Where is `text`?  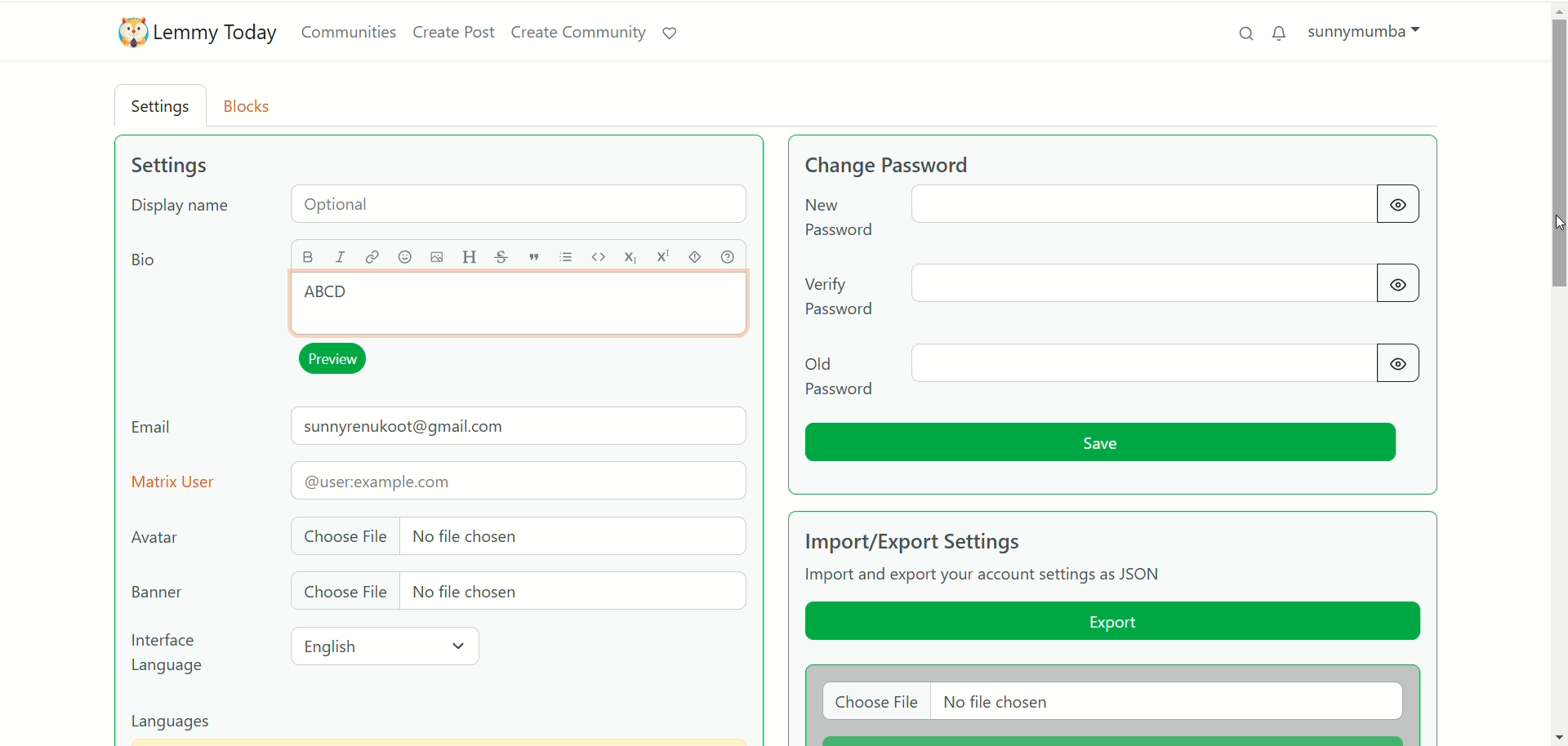 text is located at coordinates (988, 577).